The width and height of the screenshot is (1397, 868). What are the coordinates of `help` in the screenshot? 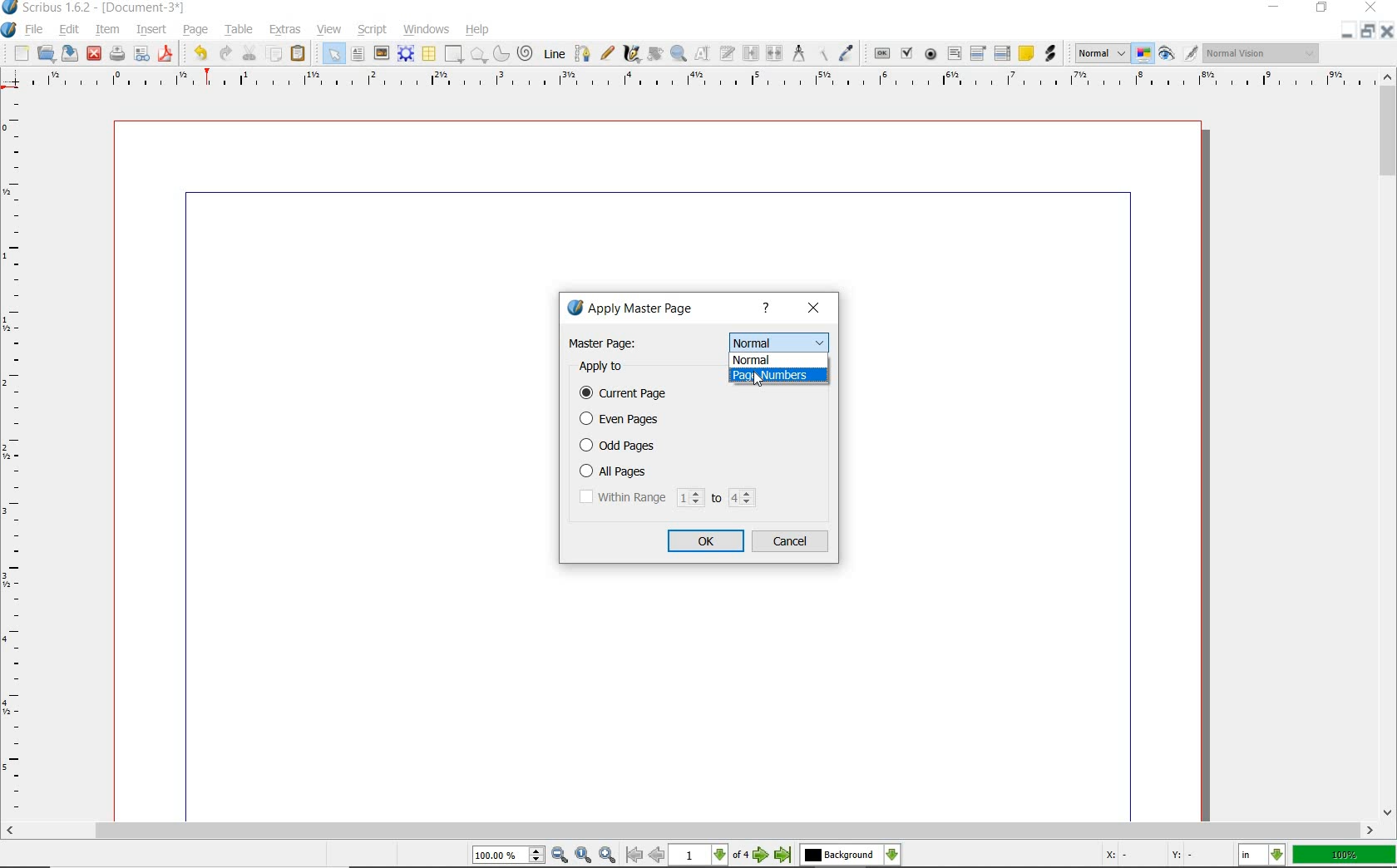 It's located at (476, 30).